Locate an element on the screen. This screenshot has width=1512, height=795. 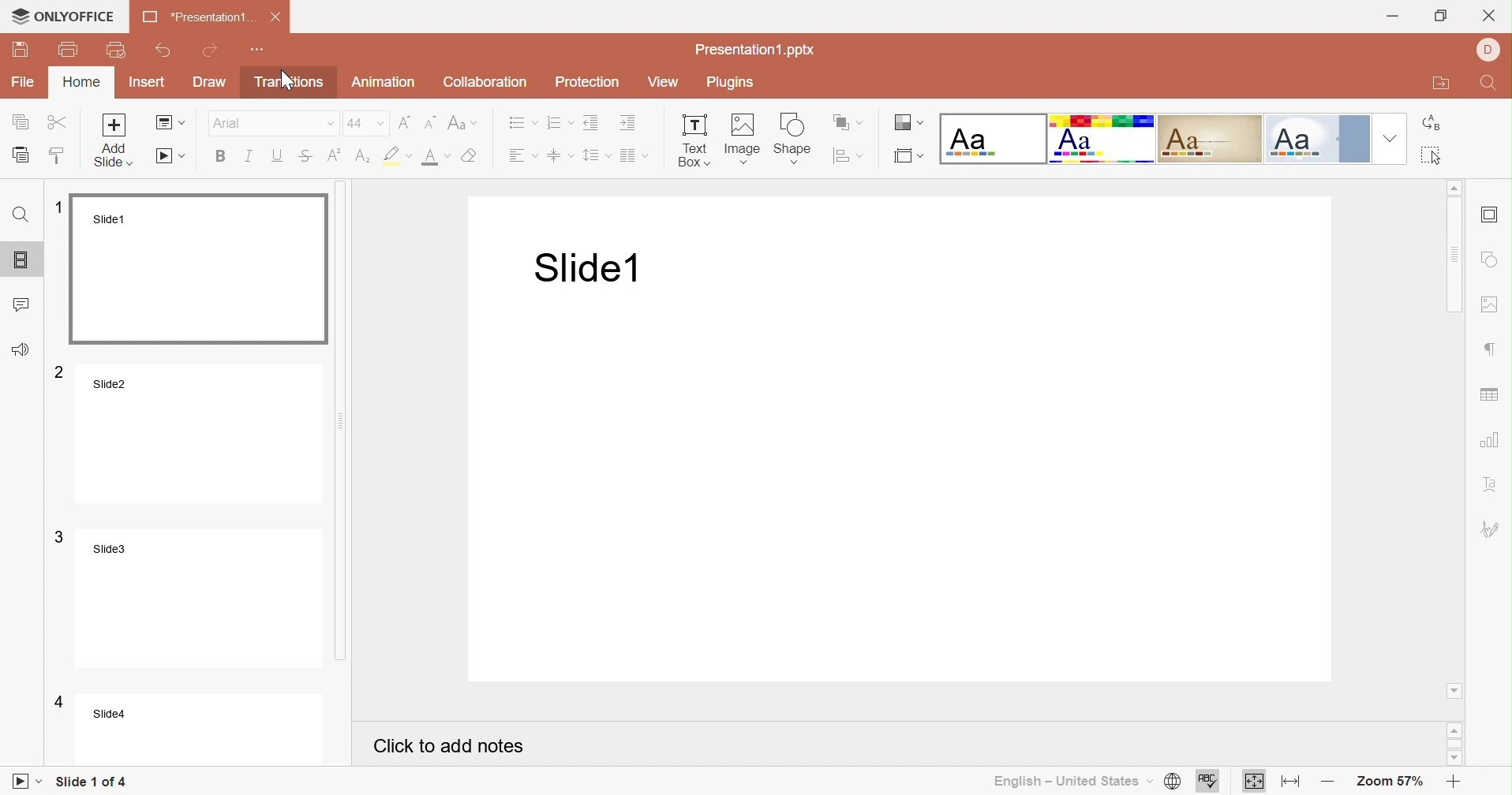
Open file location is located at coordinates (1443, 84).